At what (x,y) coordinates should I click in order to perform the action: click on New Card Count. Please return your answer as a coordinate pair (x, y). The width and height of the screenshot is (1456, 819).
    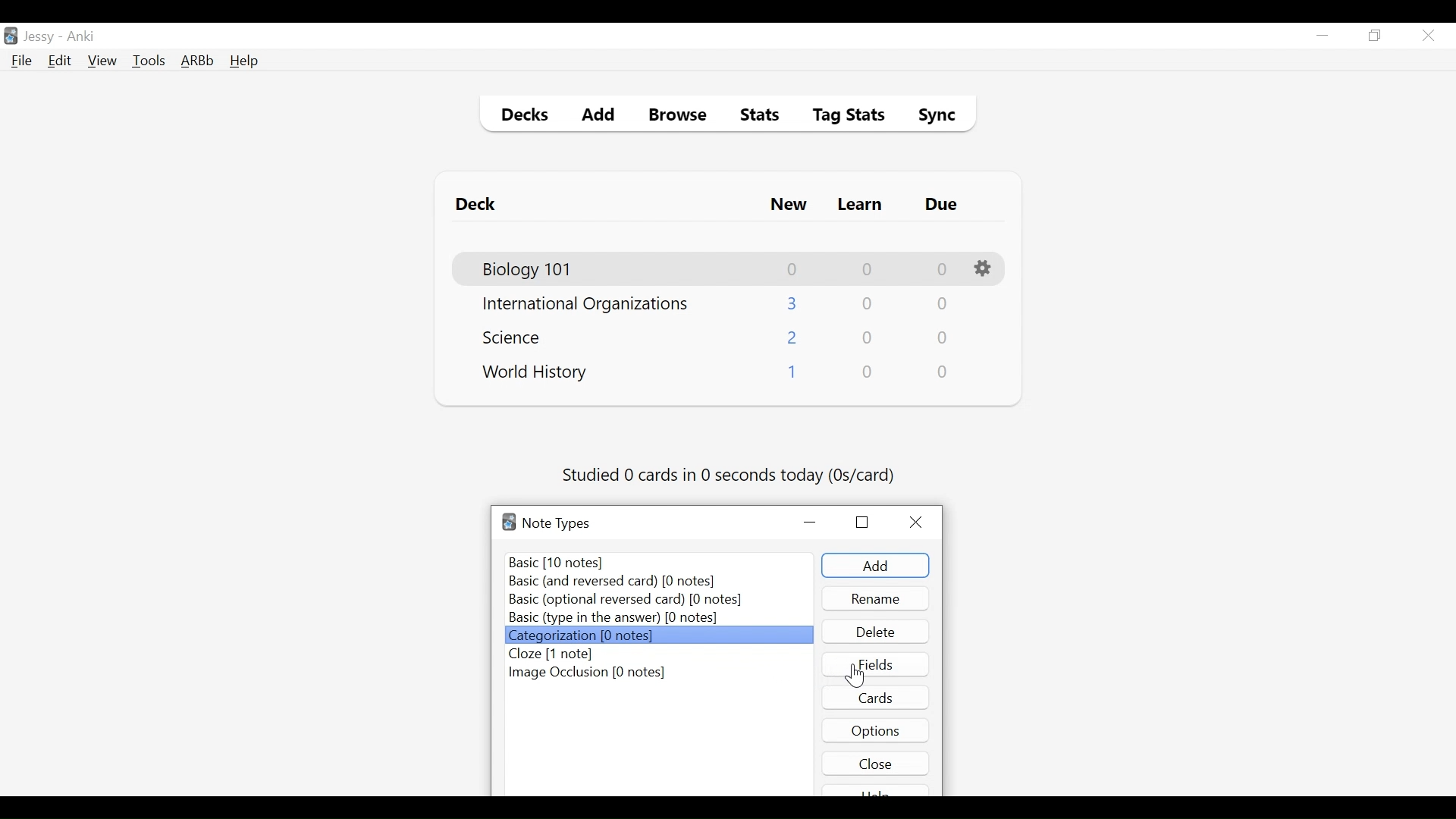
    Looking at the image, I should click on (793, 269).